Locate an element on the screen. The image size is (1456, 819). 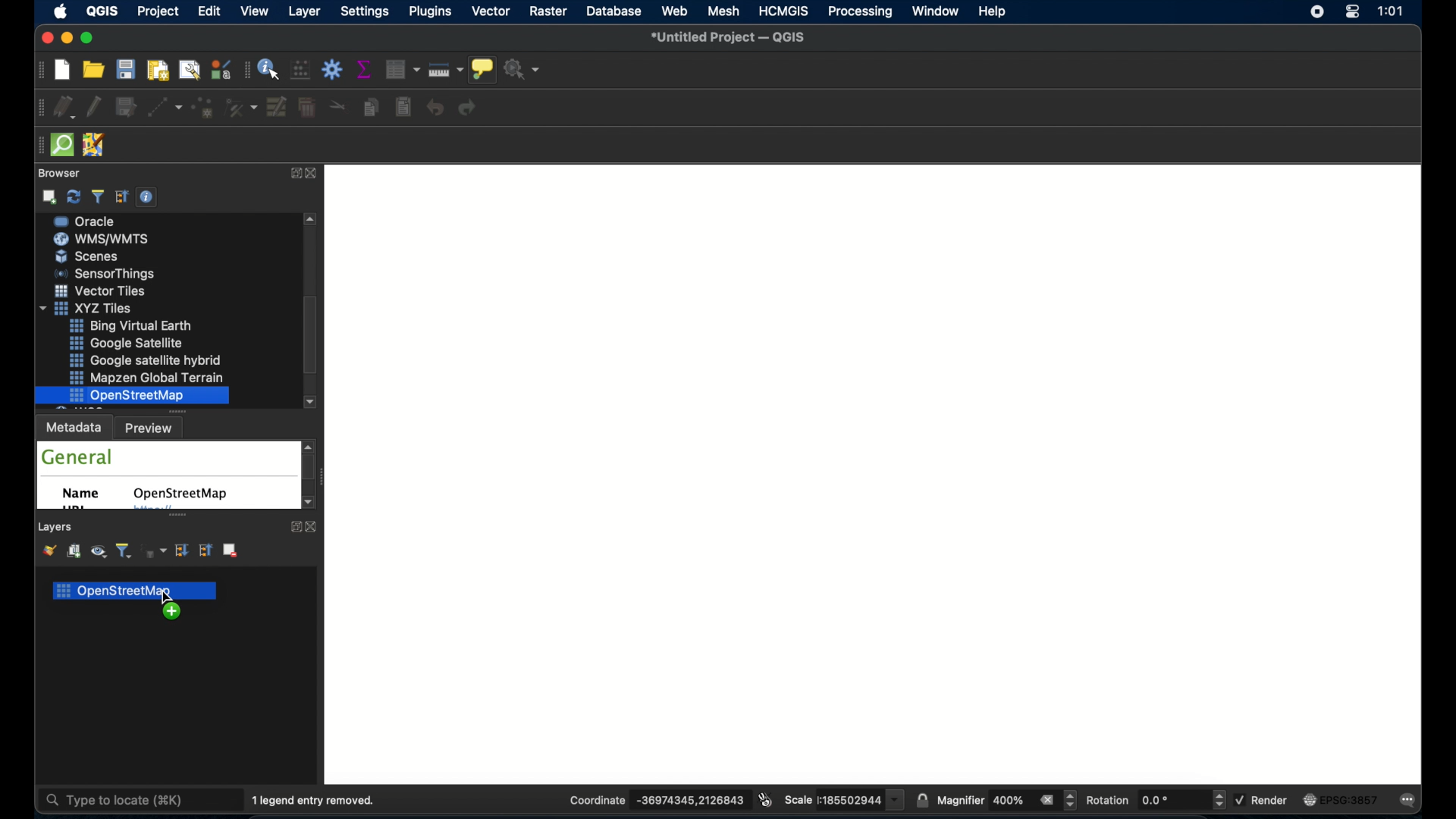
untitled project QGIS is located at coordinates (734, 37).